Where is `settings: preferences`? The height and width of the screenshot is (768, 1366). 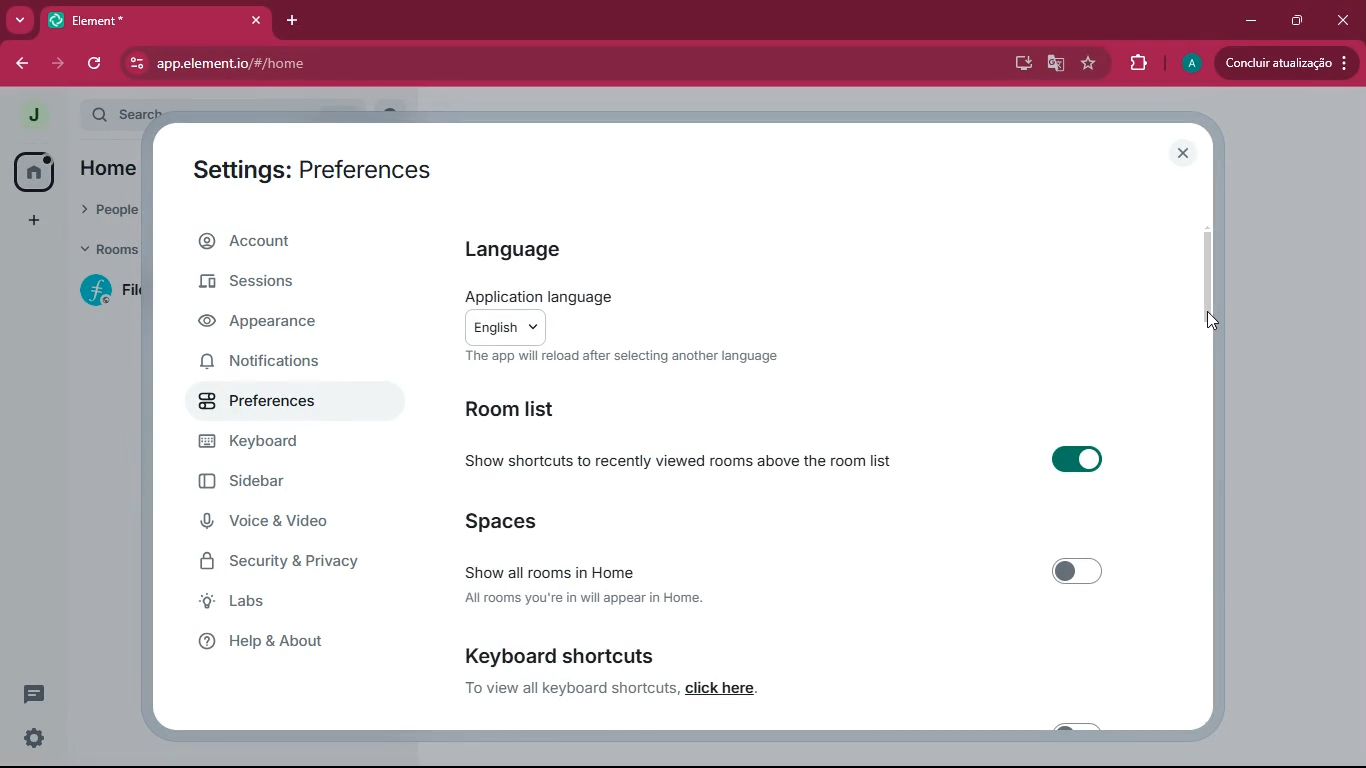 settings: preferences is located at coordinates (318, 171).